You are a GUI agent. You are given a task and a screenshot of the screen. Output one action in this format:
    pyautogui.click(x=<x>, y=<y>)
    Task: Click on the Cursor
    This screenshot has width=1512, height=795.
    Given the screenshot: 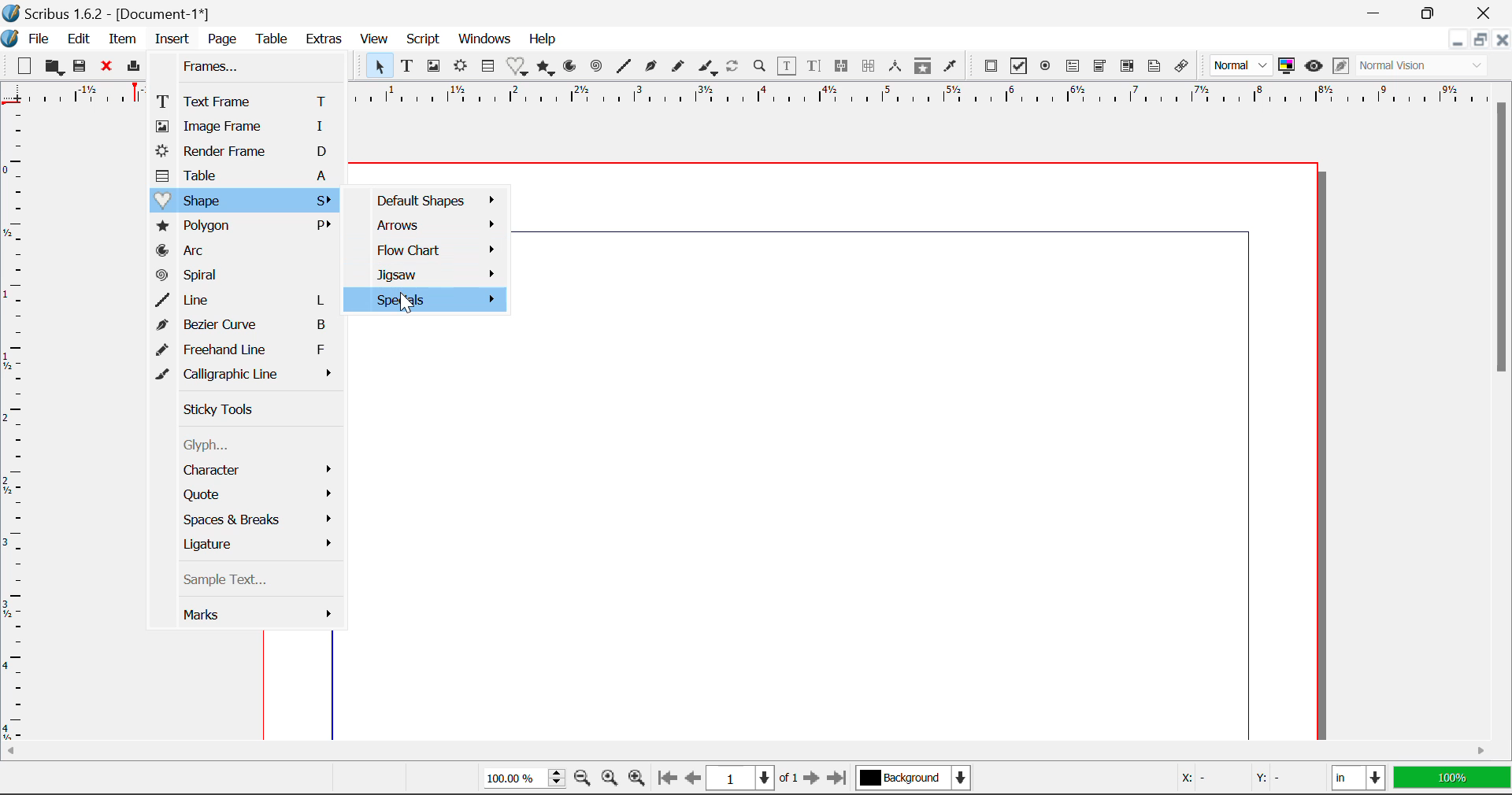 What is the action you would take?
    pyautogui.click(x=405, y=305)
    